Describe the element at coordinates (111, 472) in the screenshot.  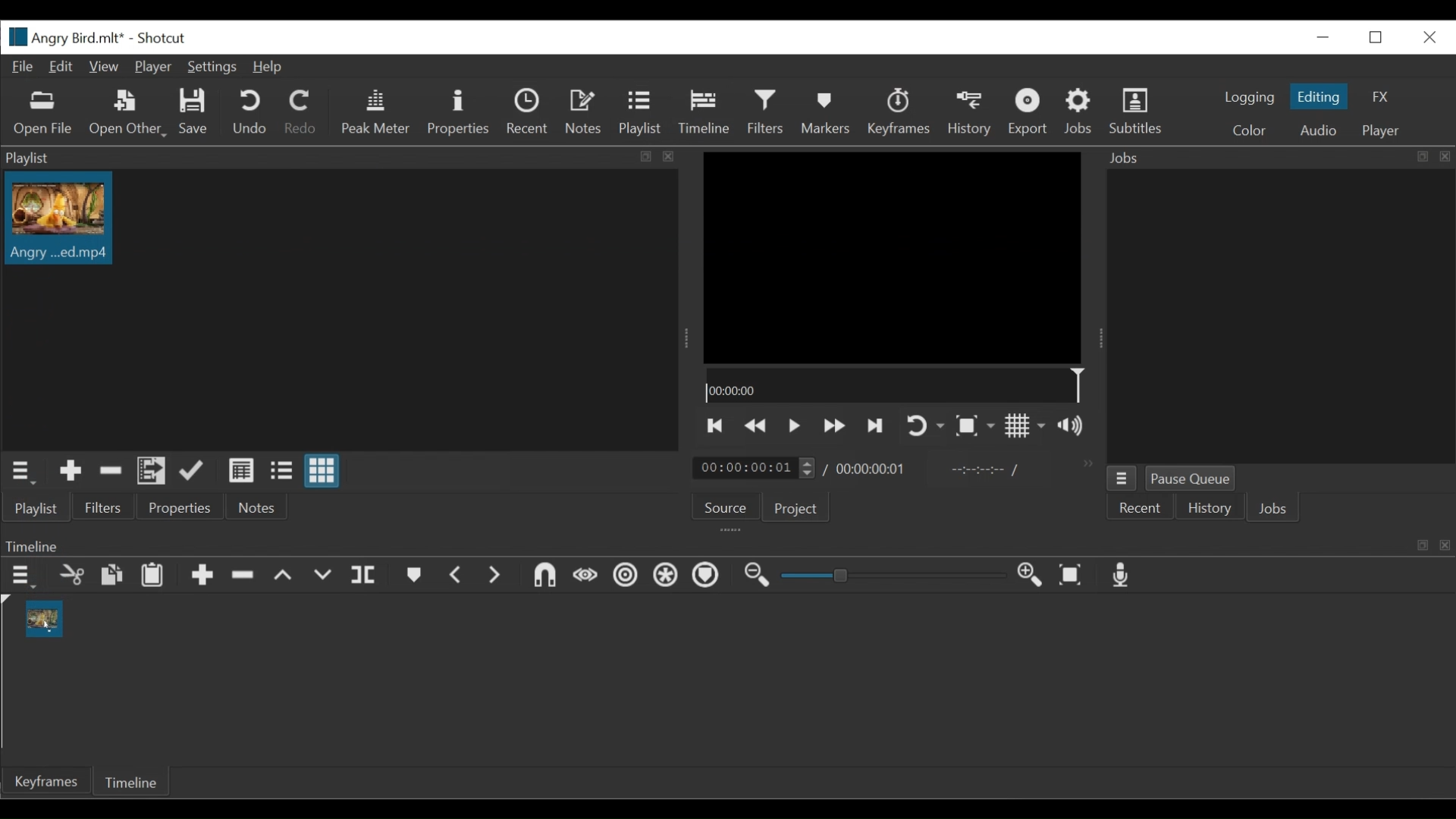
I see `Remove cut` at that location.